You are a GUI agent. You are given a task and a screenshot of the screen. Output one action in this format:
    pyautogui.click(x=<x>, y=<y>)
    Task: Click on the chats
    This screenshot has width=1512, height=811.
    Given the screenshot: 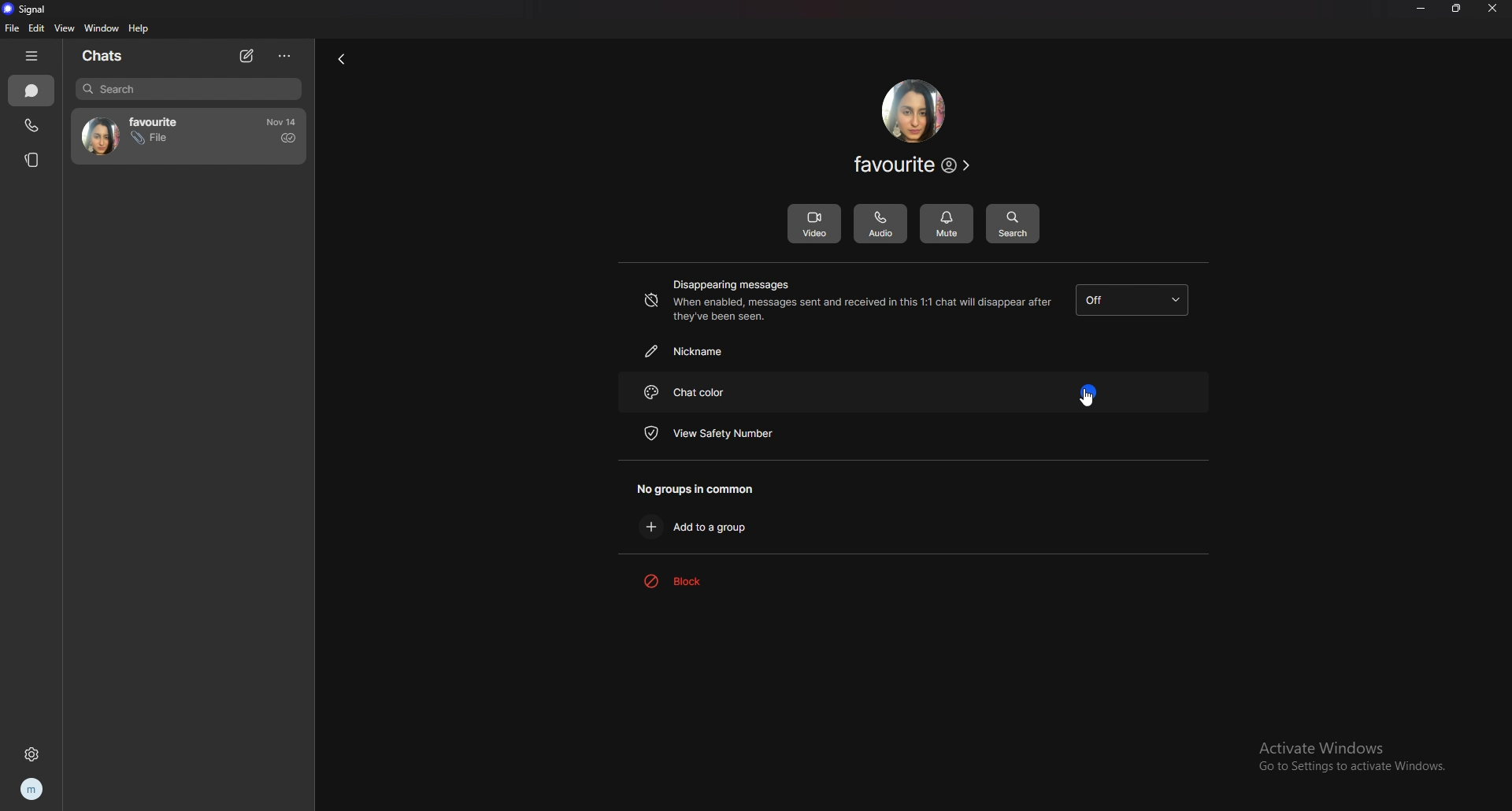 What is the action you would take?
    pyautogui.click(x=31, y=91)
    